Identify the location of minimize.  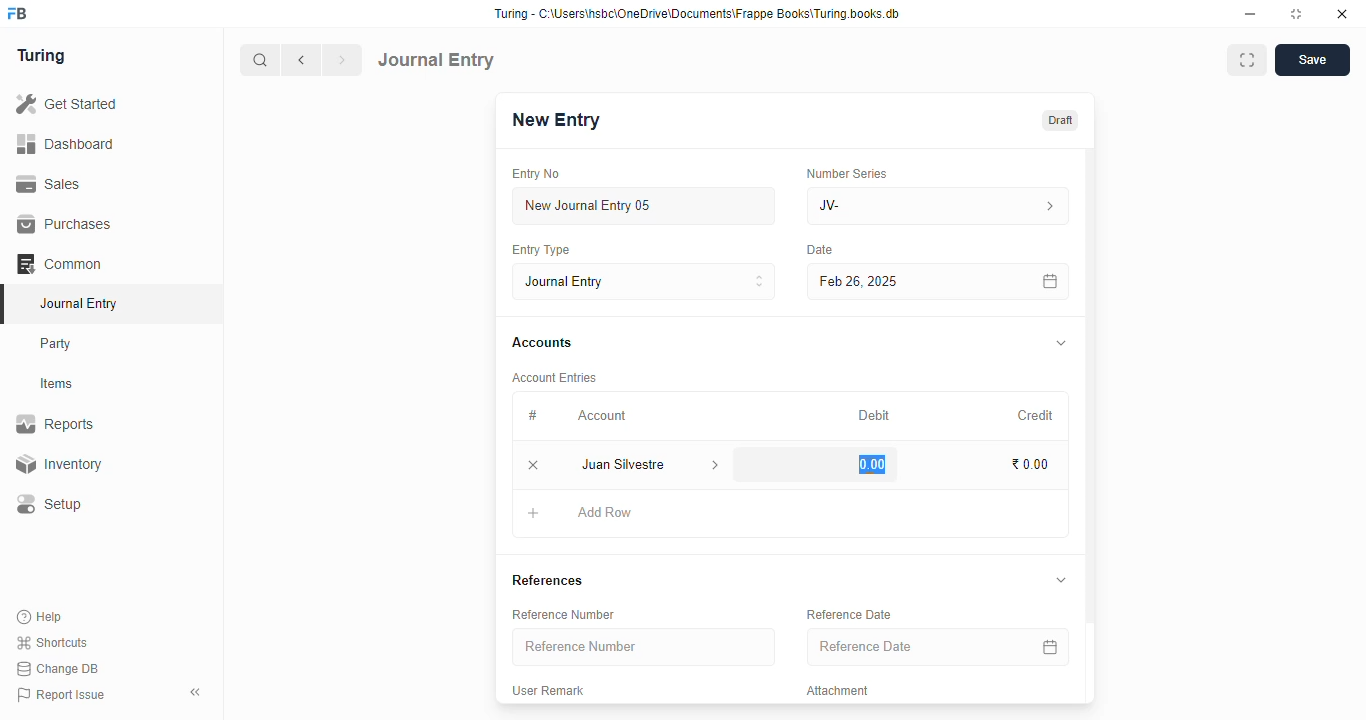
(1251, 14).